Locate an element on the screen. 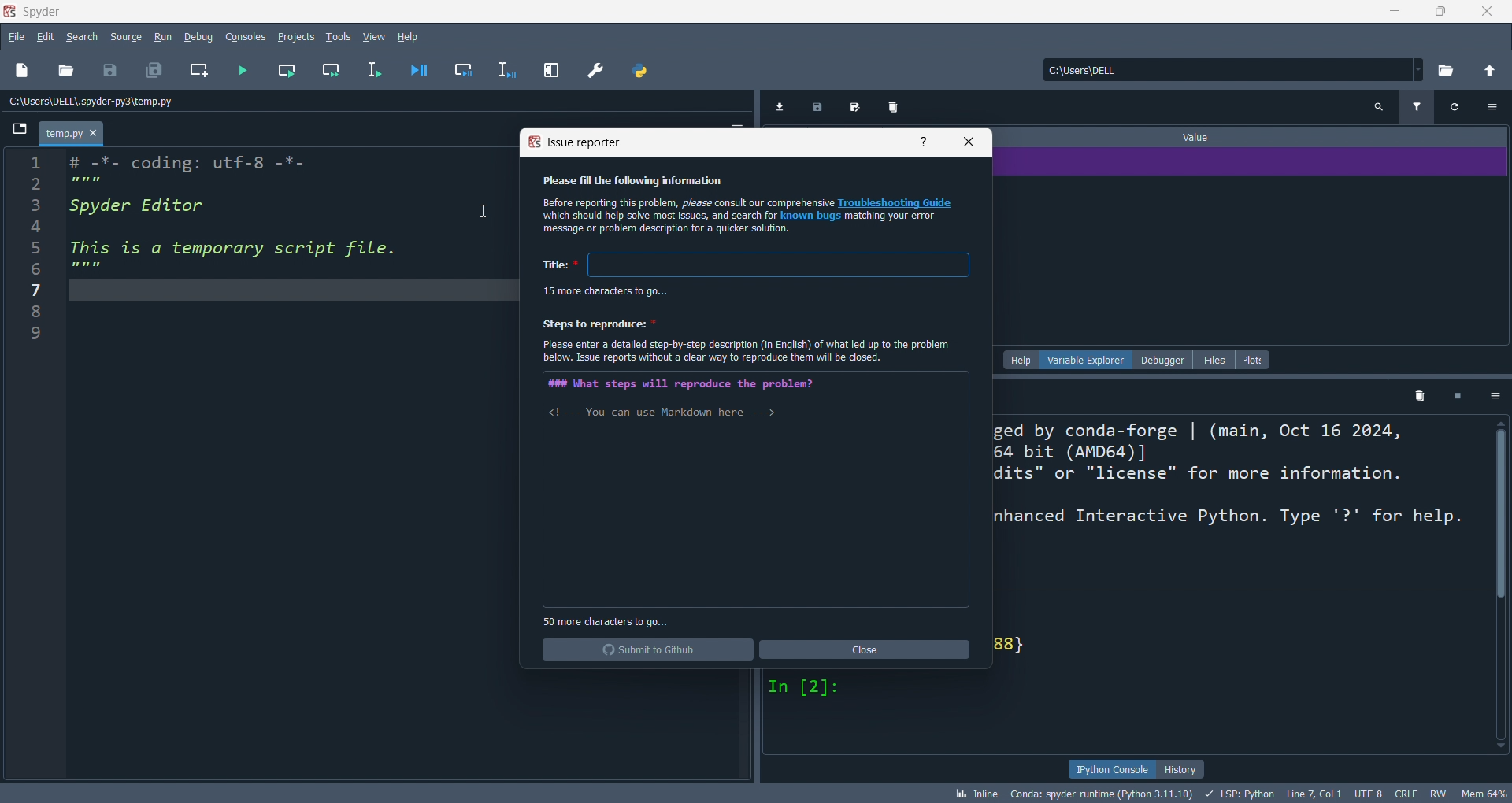 This screenshot has height=803, width=1512. maximize is located at coordinates (1438, 12).